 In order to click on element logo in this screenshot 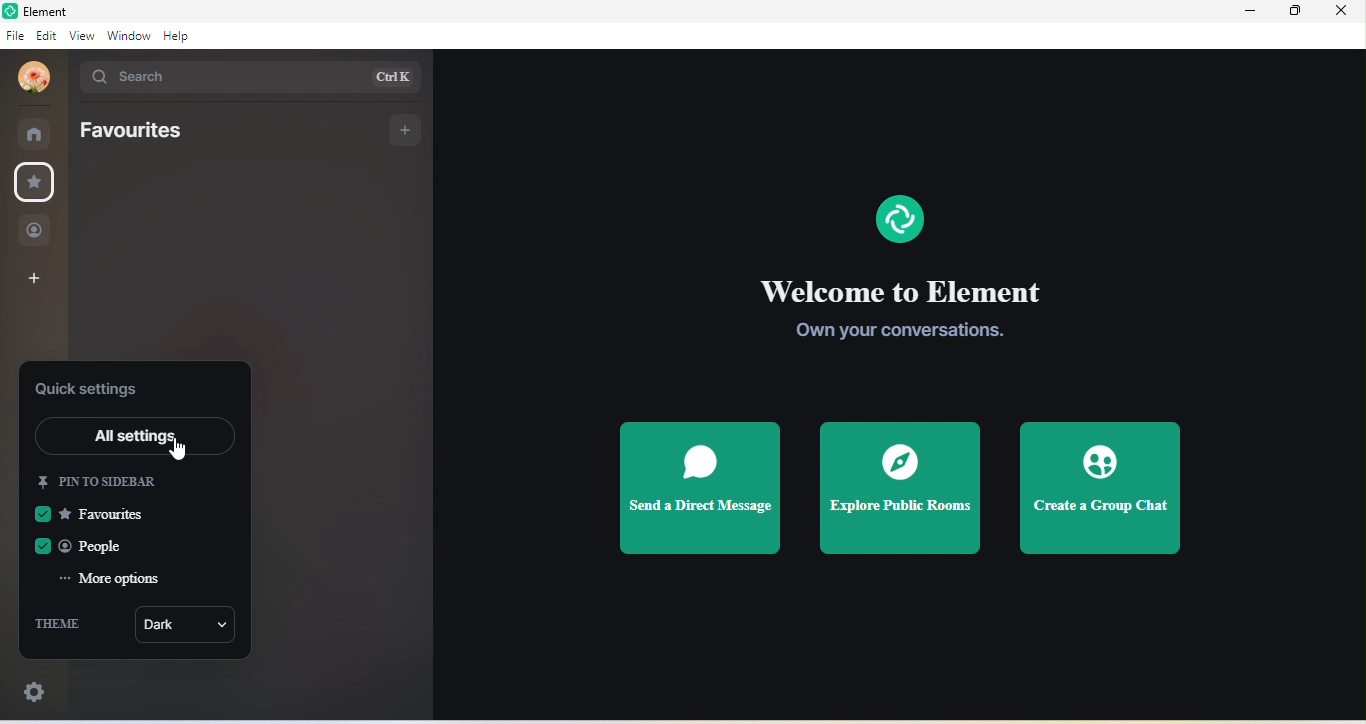, I will do `click(900, 217)`.